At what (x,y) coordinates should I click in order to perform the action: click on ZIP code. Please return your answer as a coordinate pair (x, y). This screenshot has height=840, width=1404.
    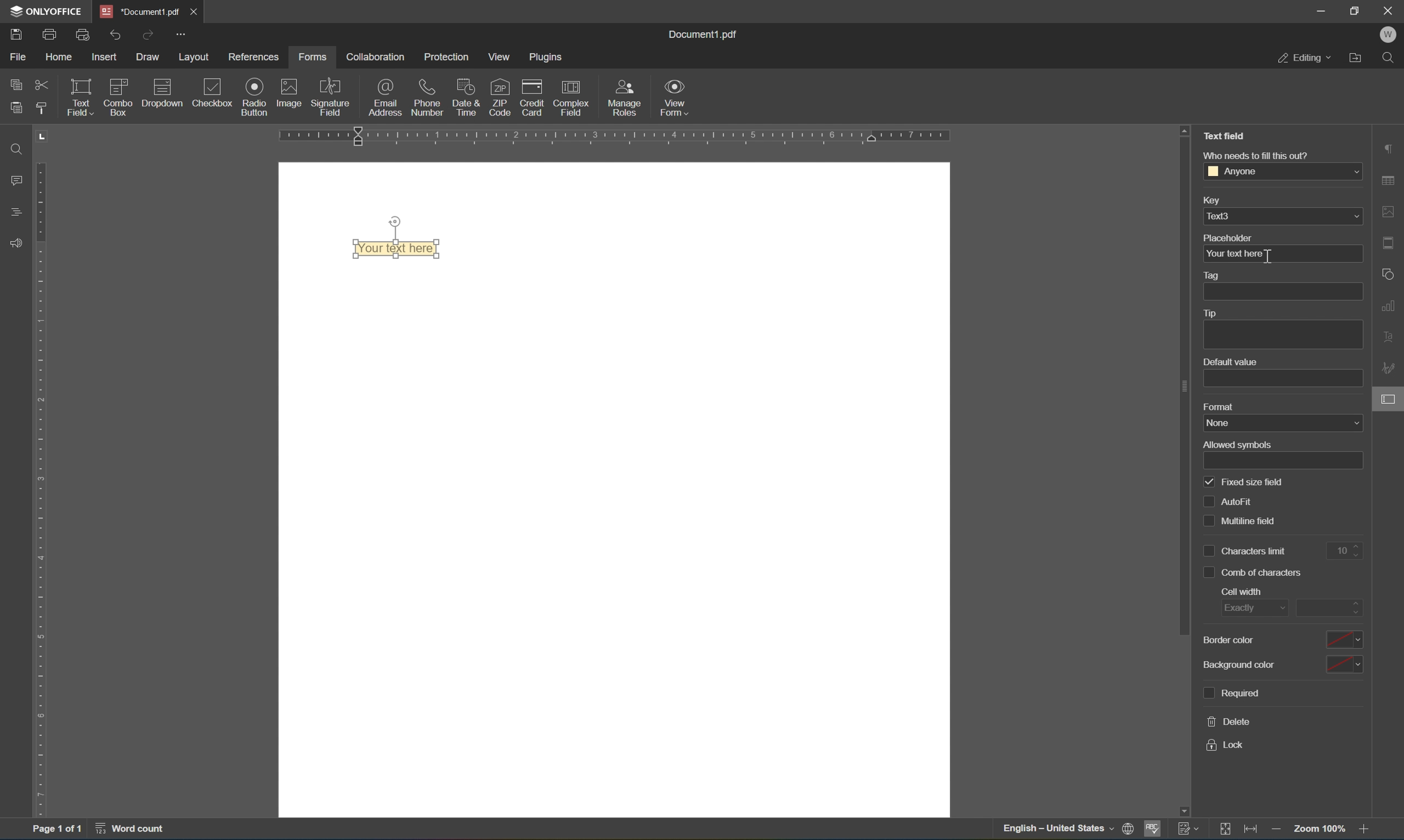
    Looking at the image, I should click on (499, 96).